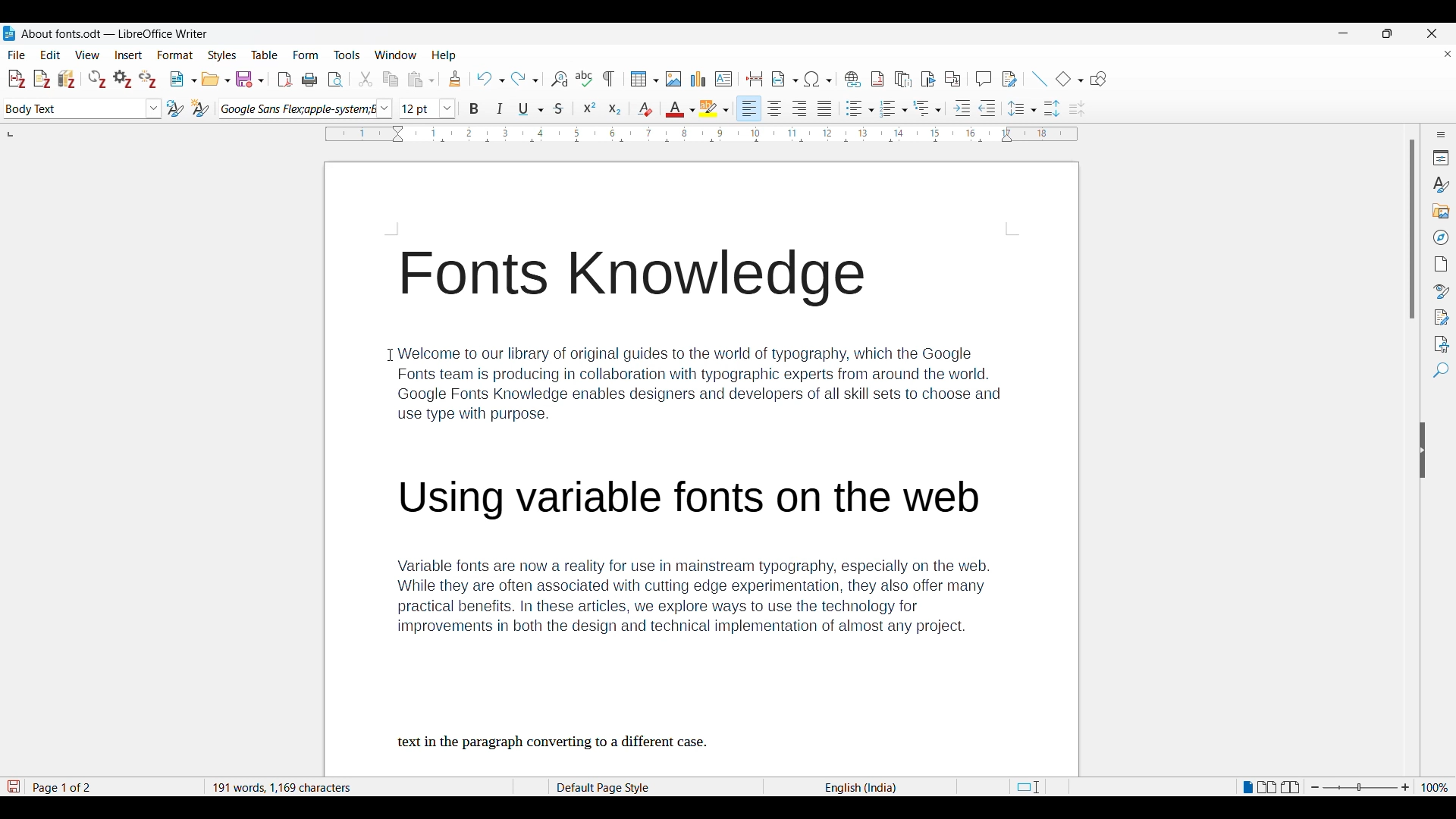  What do you see at coordinates (615, 108) in the screenshot?
I see `Subscript` at bounding box center [615, 108].